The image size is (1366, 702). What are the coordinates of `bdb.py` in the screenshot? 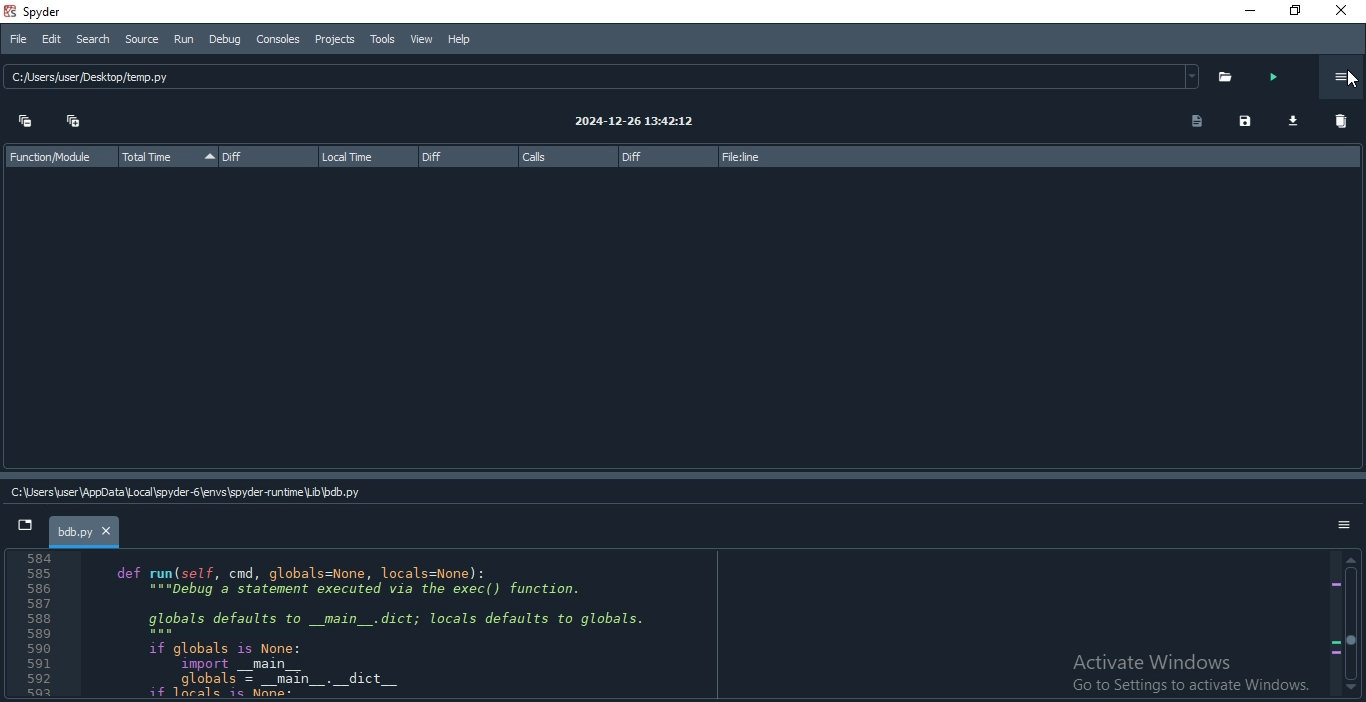 It's located at (87, 531).